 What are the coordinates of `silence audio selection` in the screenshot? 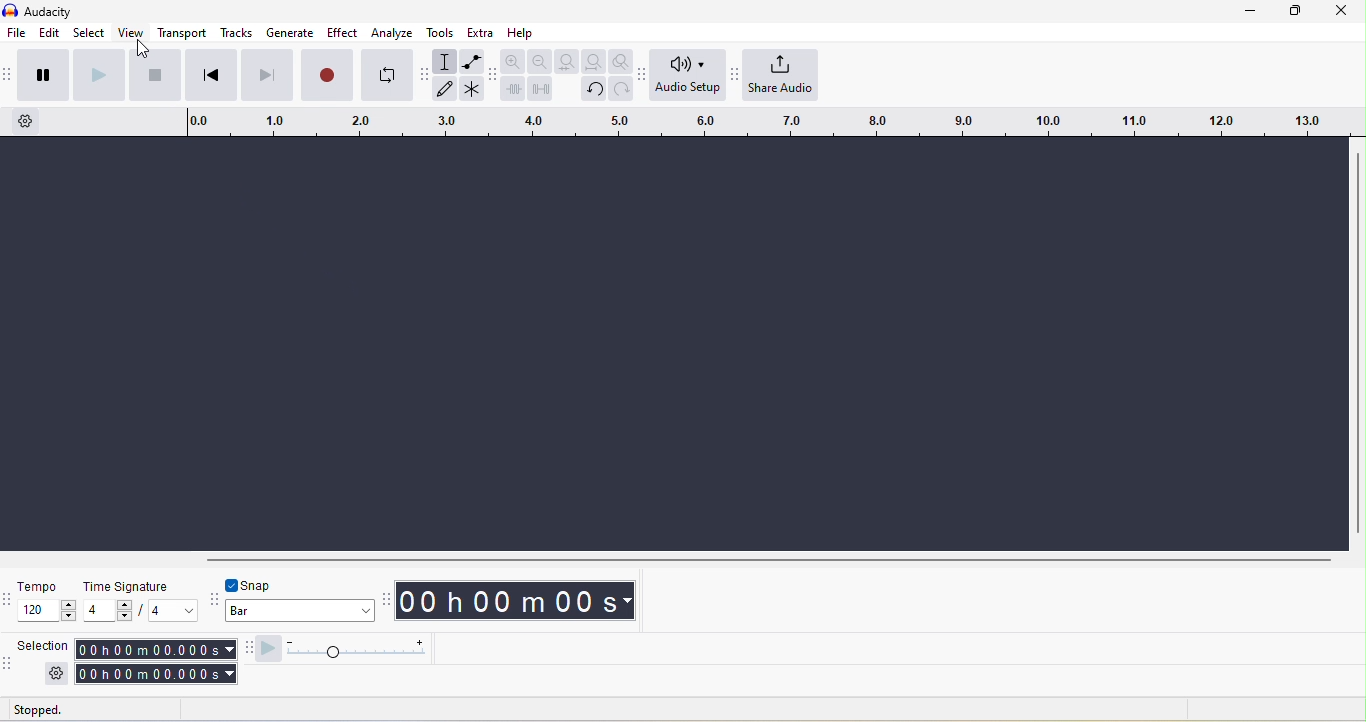 It's located at (540, 89).